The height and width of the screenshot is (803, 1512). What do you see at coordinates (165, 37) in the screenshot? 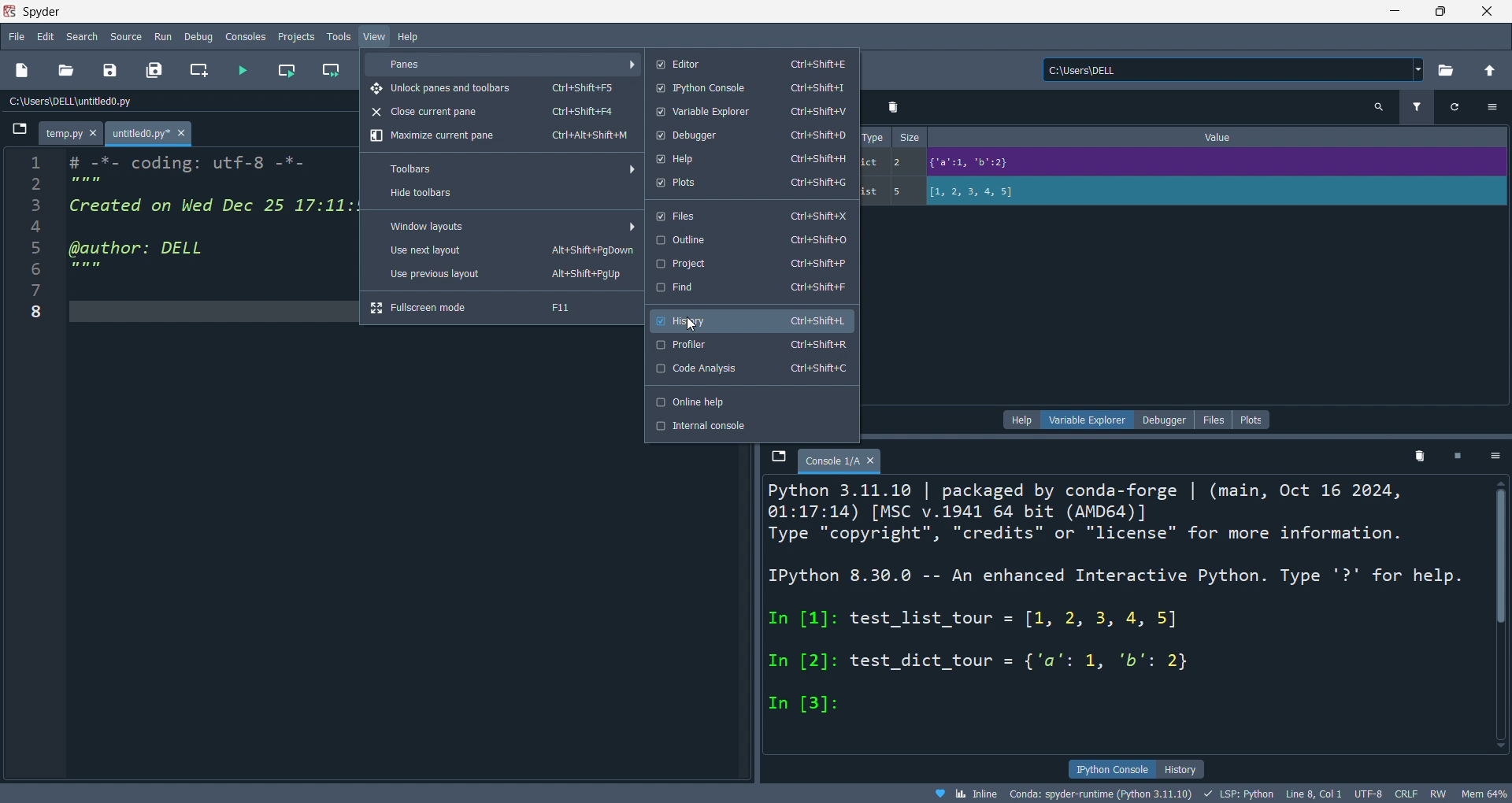
I see `run` at bounding box center [165, 37].